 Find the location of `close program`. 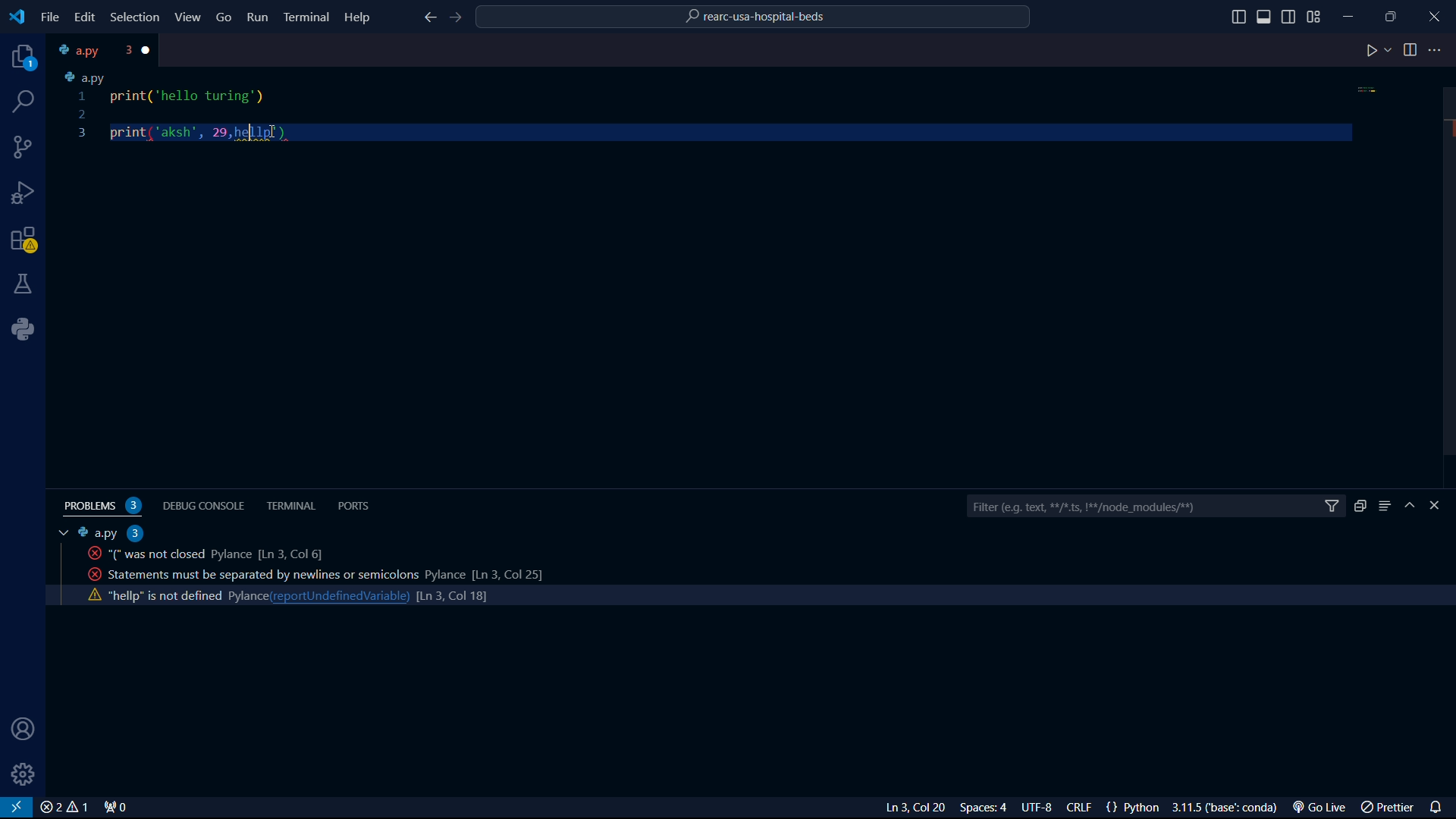

close program is located at coordinates (1435, 14).